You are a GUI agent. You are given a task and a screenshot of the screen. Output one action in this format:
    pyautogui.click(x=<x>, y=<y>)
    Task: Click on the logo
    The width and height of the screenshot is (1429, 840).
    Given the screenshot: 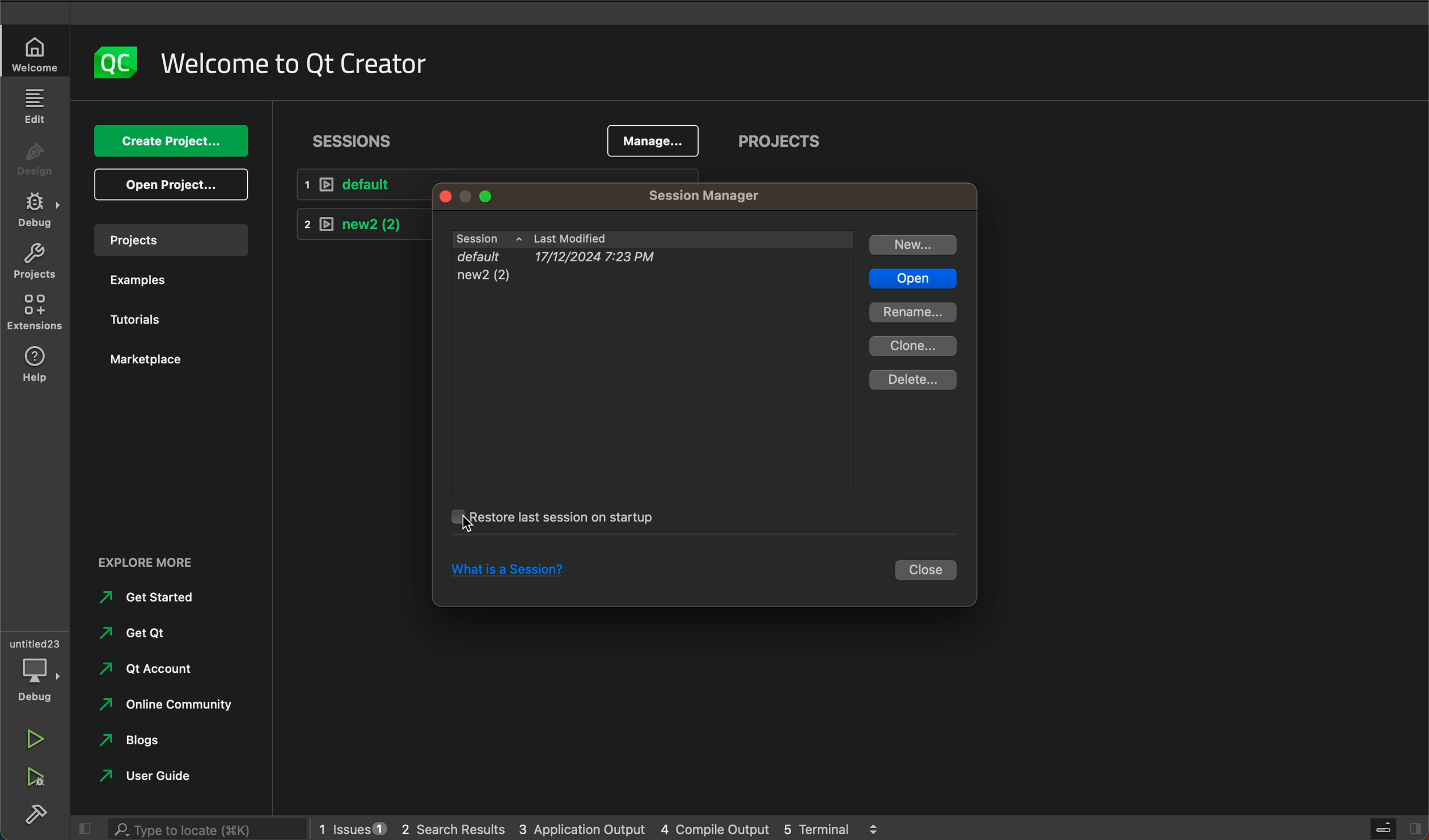 What is the action you would take?
    pyautogui.click(x=113, y=62)
    